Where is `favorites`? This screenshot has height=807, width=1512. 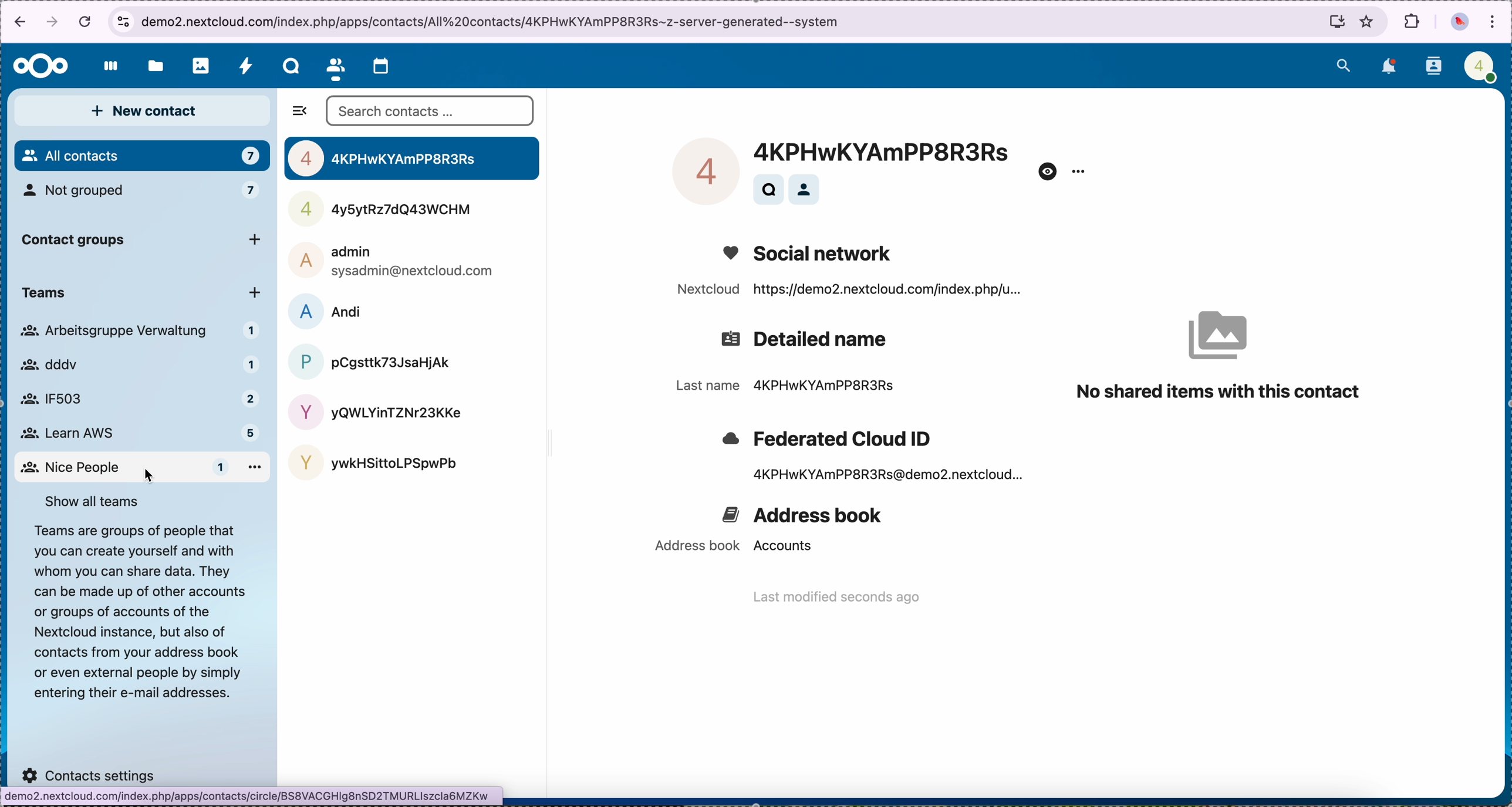
favorites is located at coordinates (1368, 21).